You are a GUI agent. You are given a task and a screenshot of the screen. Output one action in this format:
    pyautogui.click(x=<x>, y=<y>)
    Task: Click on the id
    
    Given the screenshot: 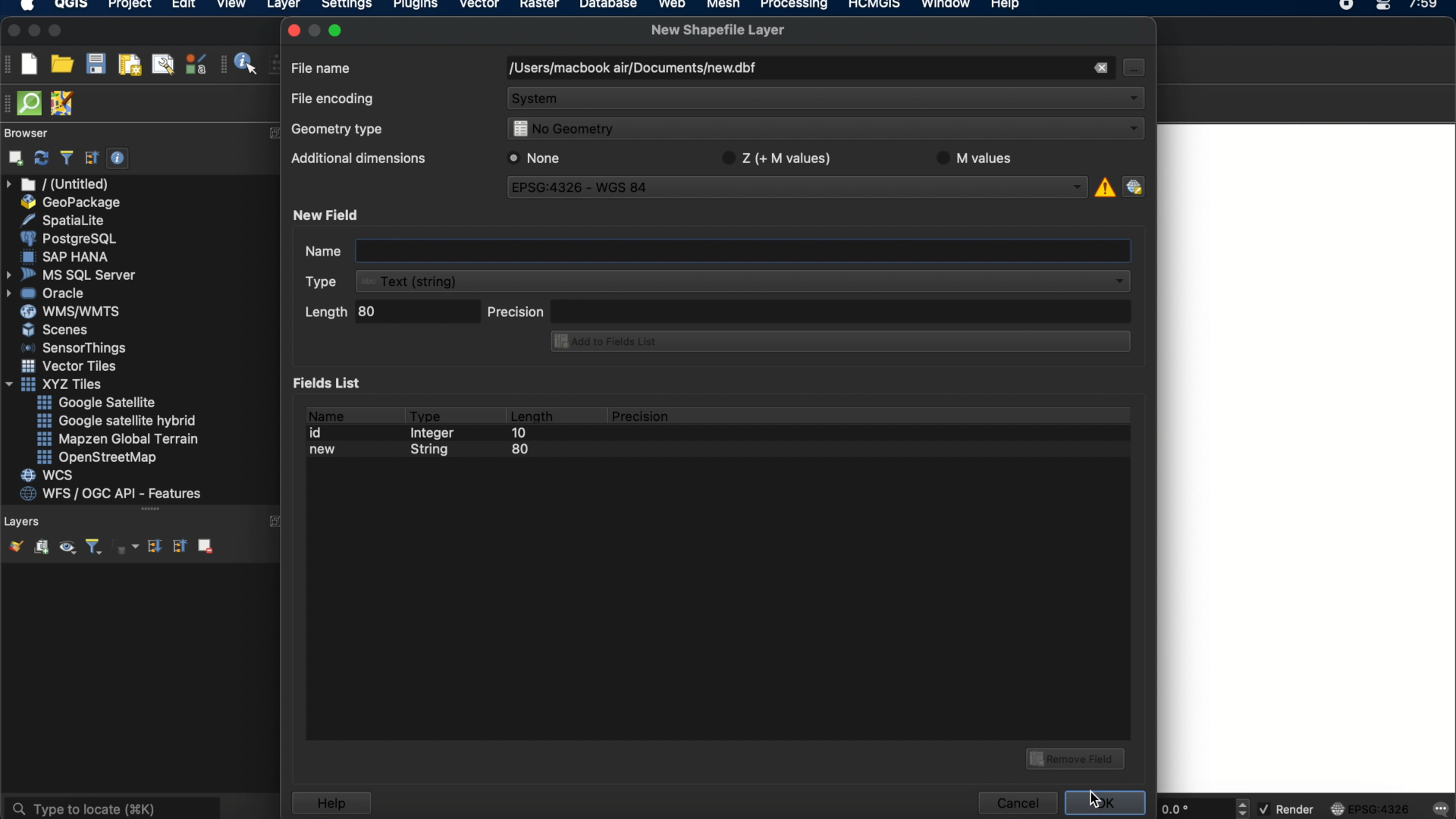 What is the action you would take?
    pyautogui.click(x=320, y=433)
    